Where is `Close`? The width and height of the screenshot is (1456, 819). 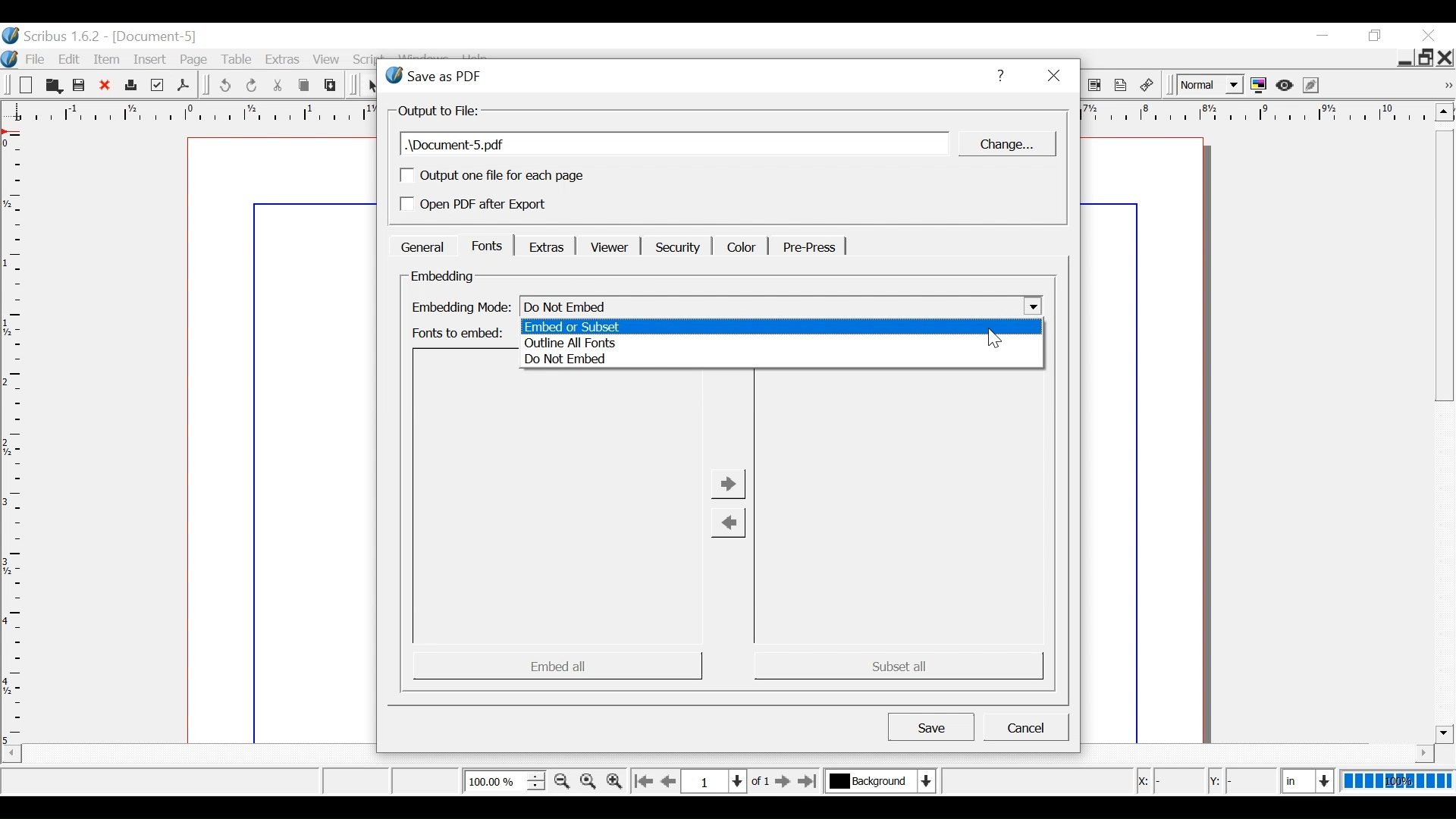 Close is located at coordinates (105, 86).